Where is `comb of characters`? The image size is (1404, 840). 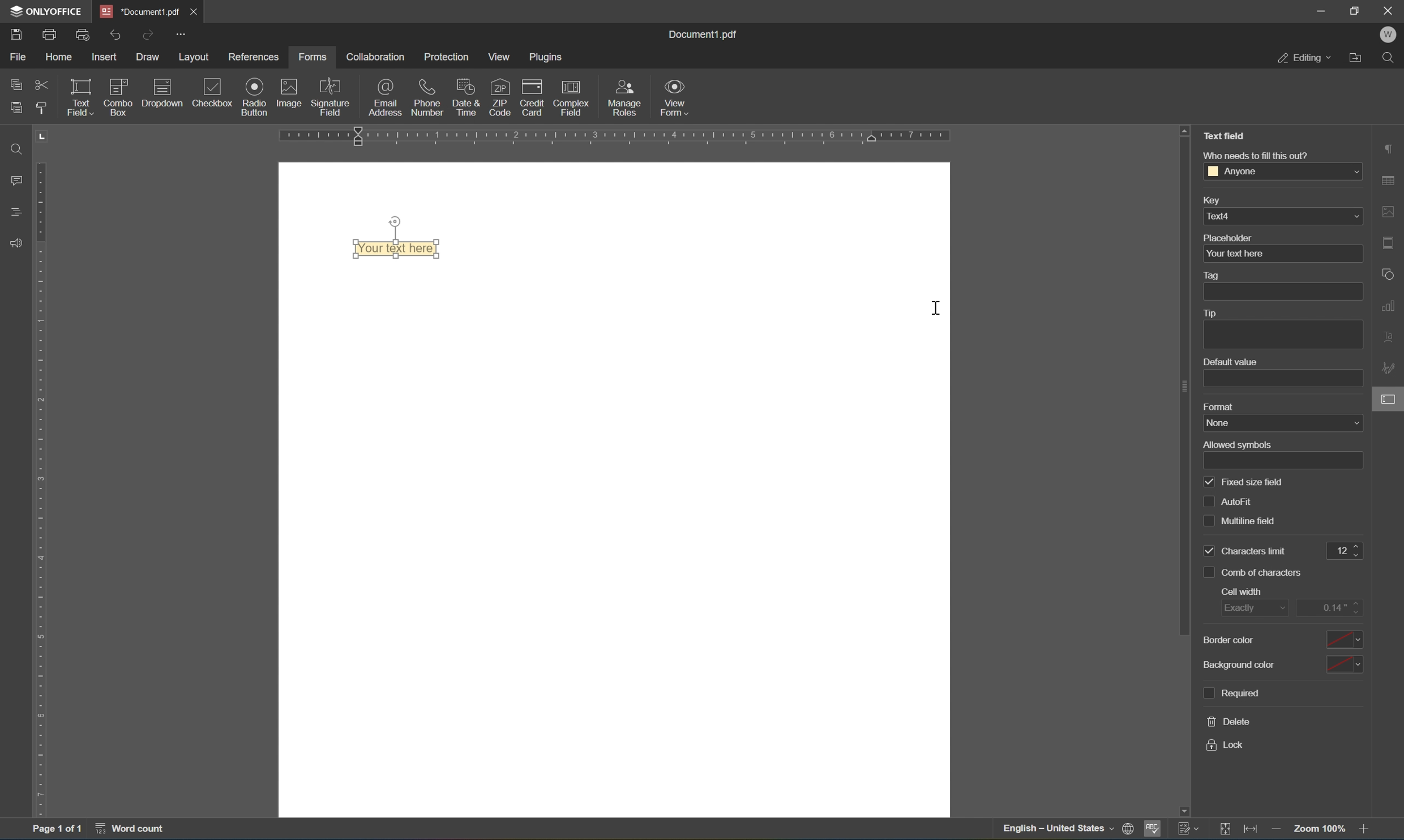
comb of characters is located at coordinates (1265, 573).